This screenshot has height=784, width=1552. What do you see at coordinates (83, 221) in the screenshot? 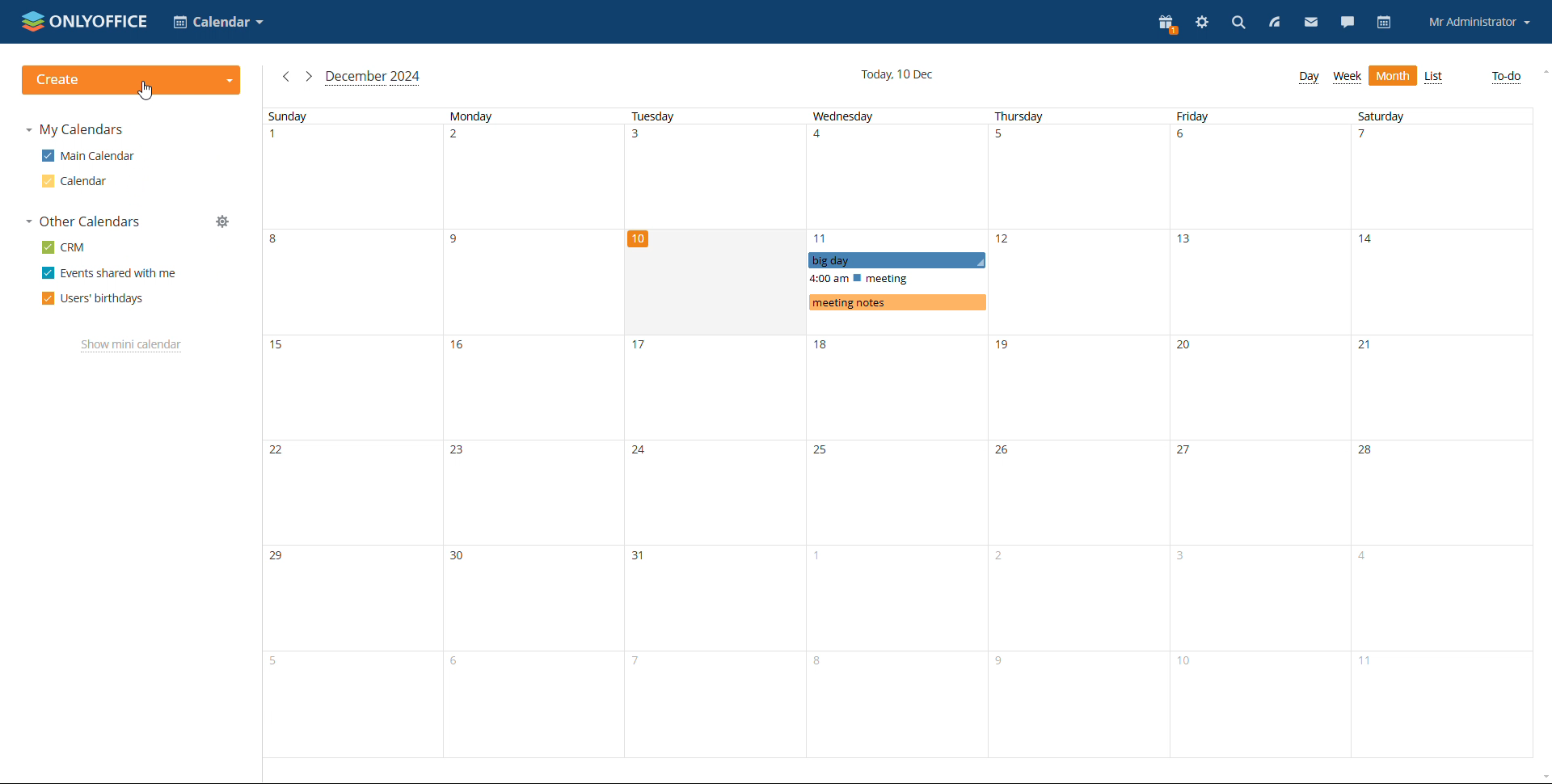
I see `other calendars` at bounding box center [83, 221].